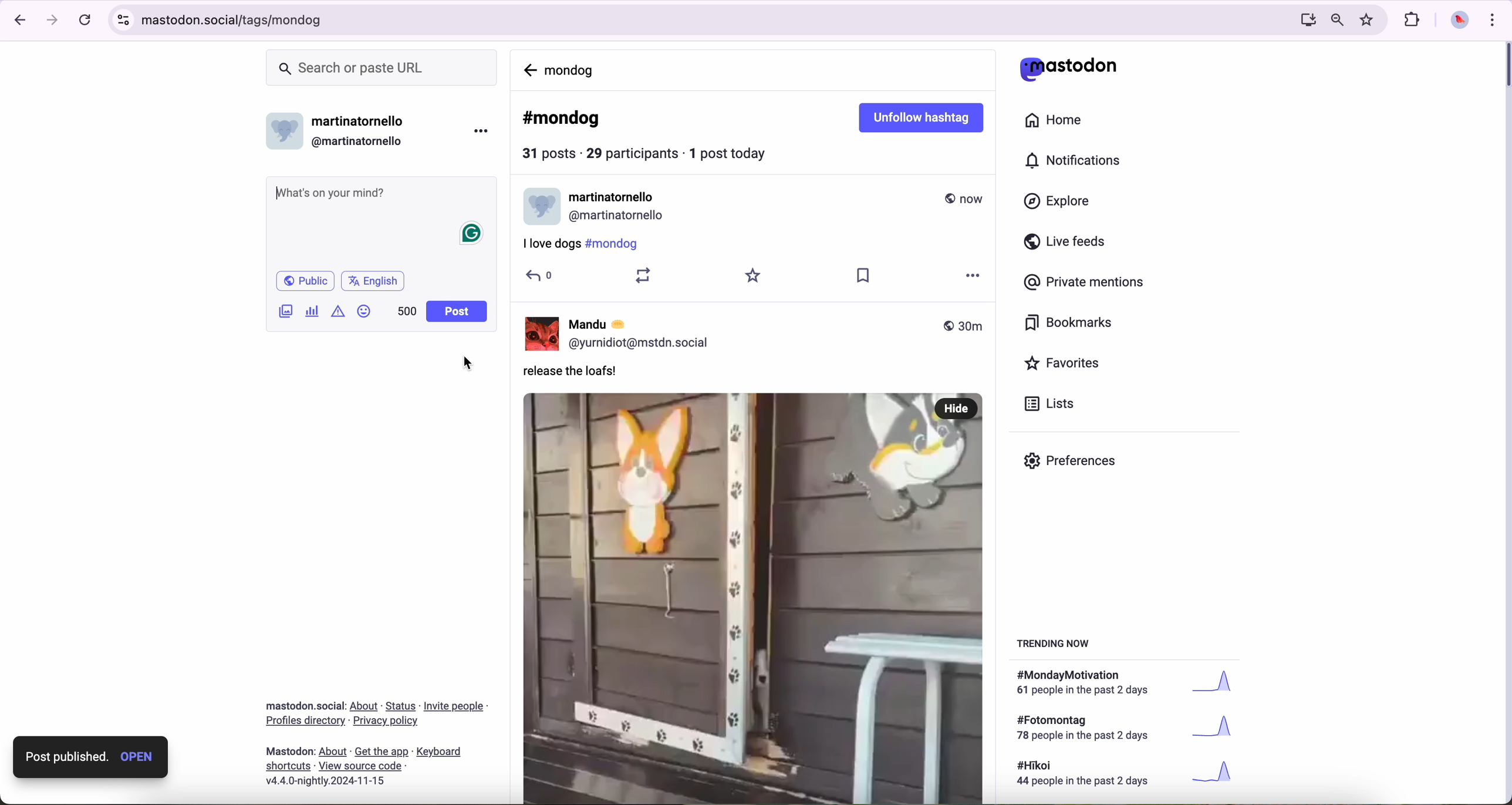 This screenshot has height=805, width=1512. I want to click on link, so click(439, 753).